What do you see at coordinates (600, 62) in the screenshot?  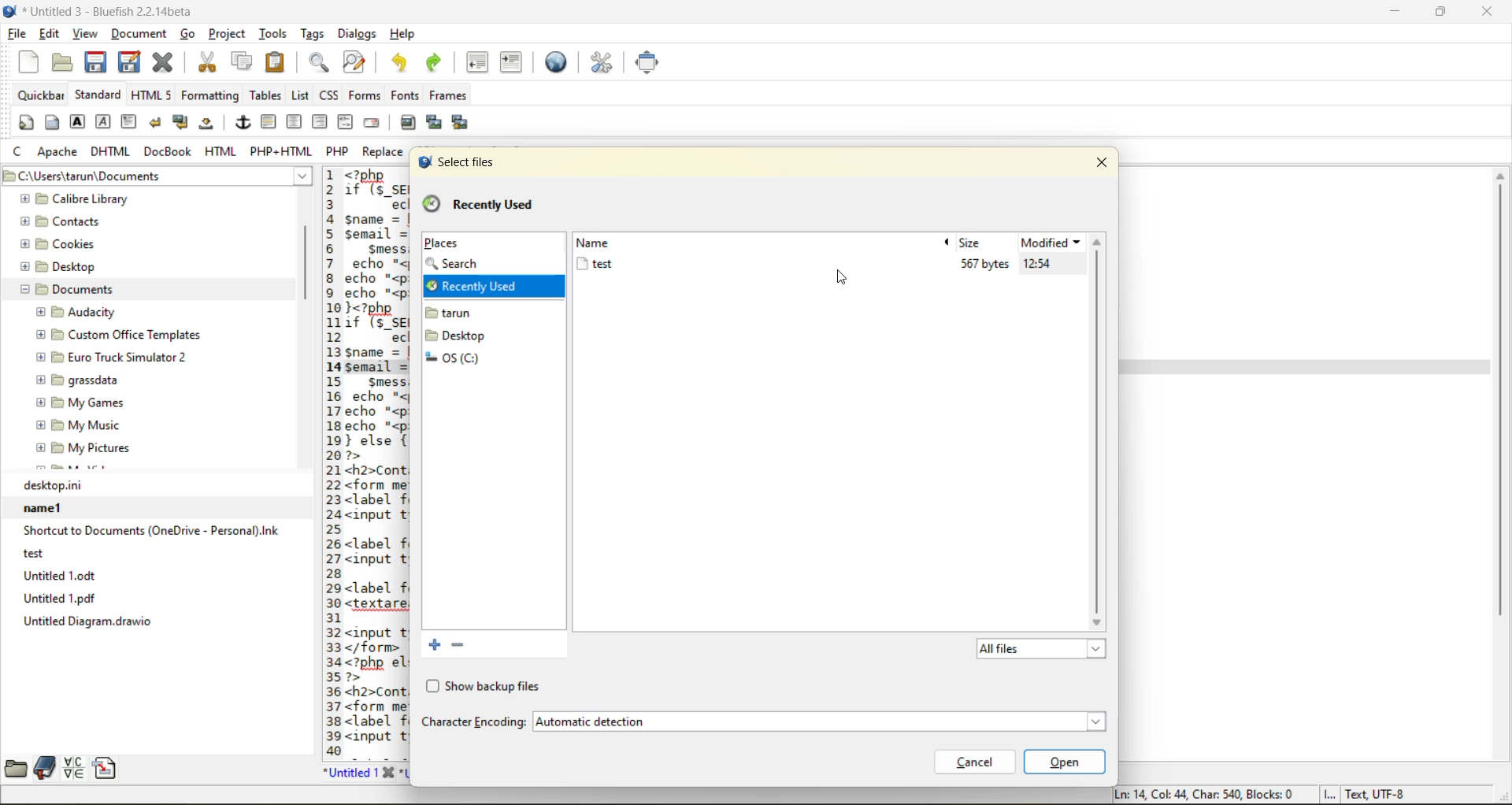 I see `edit preferences` at bounding box center [600, 62].